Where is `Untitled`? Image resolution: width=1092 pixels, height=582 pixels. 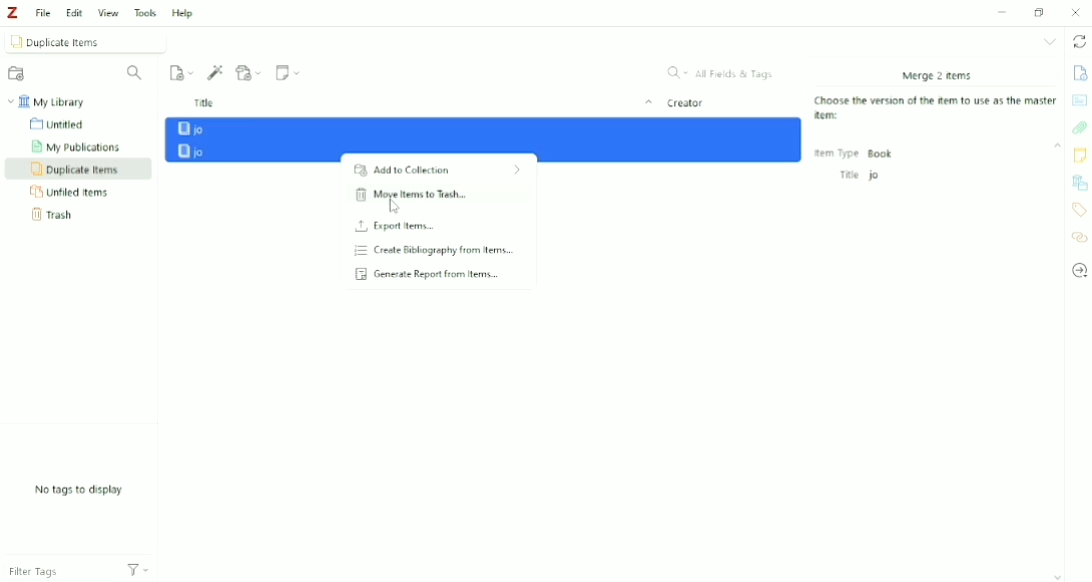
Untitled is located at coordinates (64, 125).